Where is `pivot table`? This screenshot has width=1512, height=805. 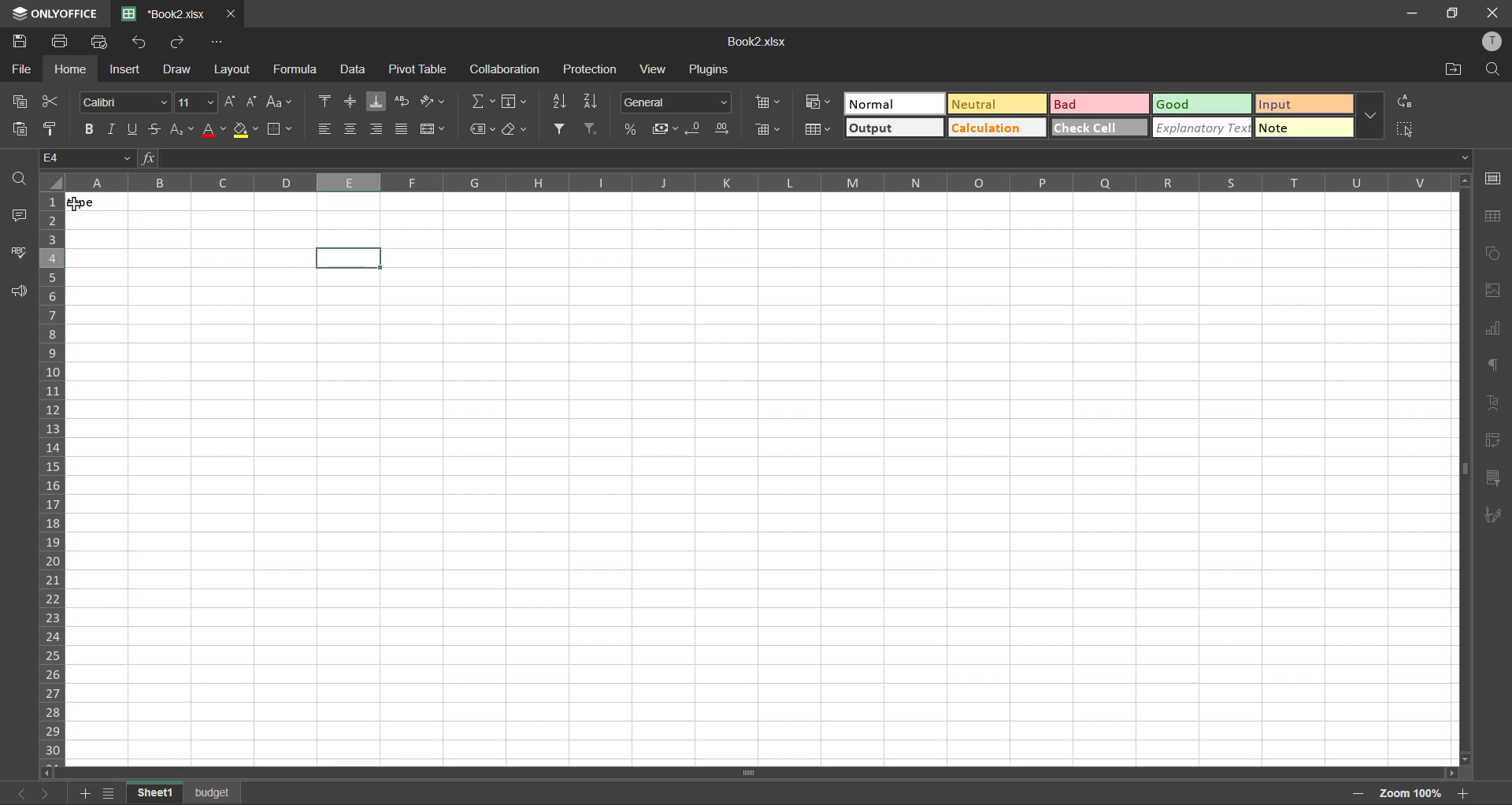 pivot table is located at coordinates (419, 69).